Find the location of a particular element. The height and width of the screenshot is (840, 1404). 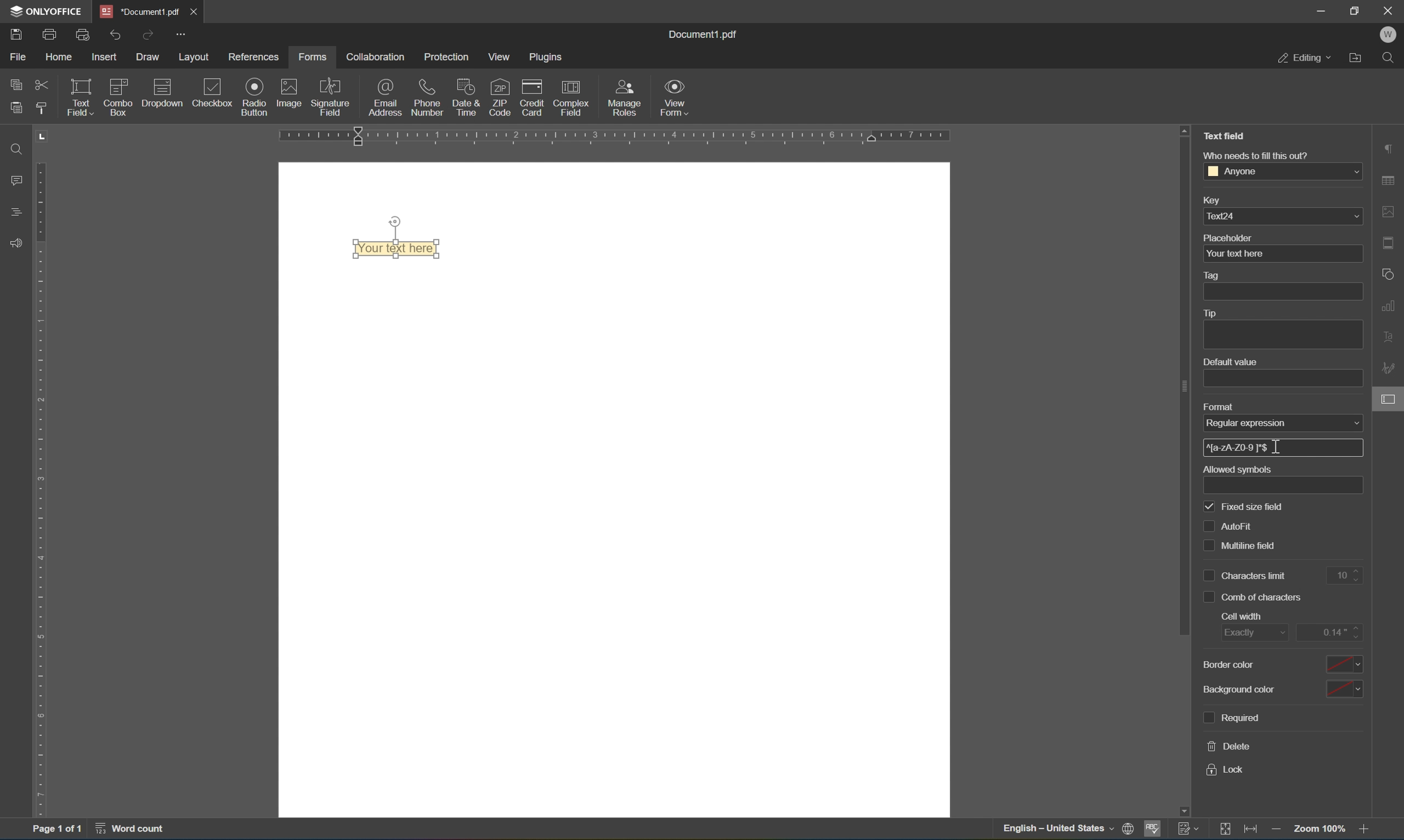

signature settings is located at coordinates (1391, 368).